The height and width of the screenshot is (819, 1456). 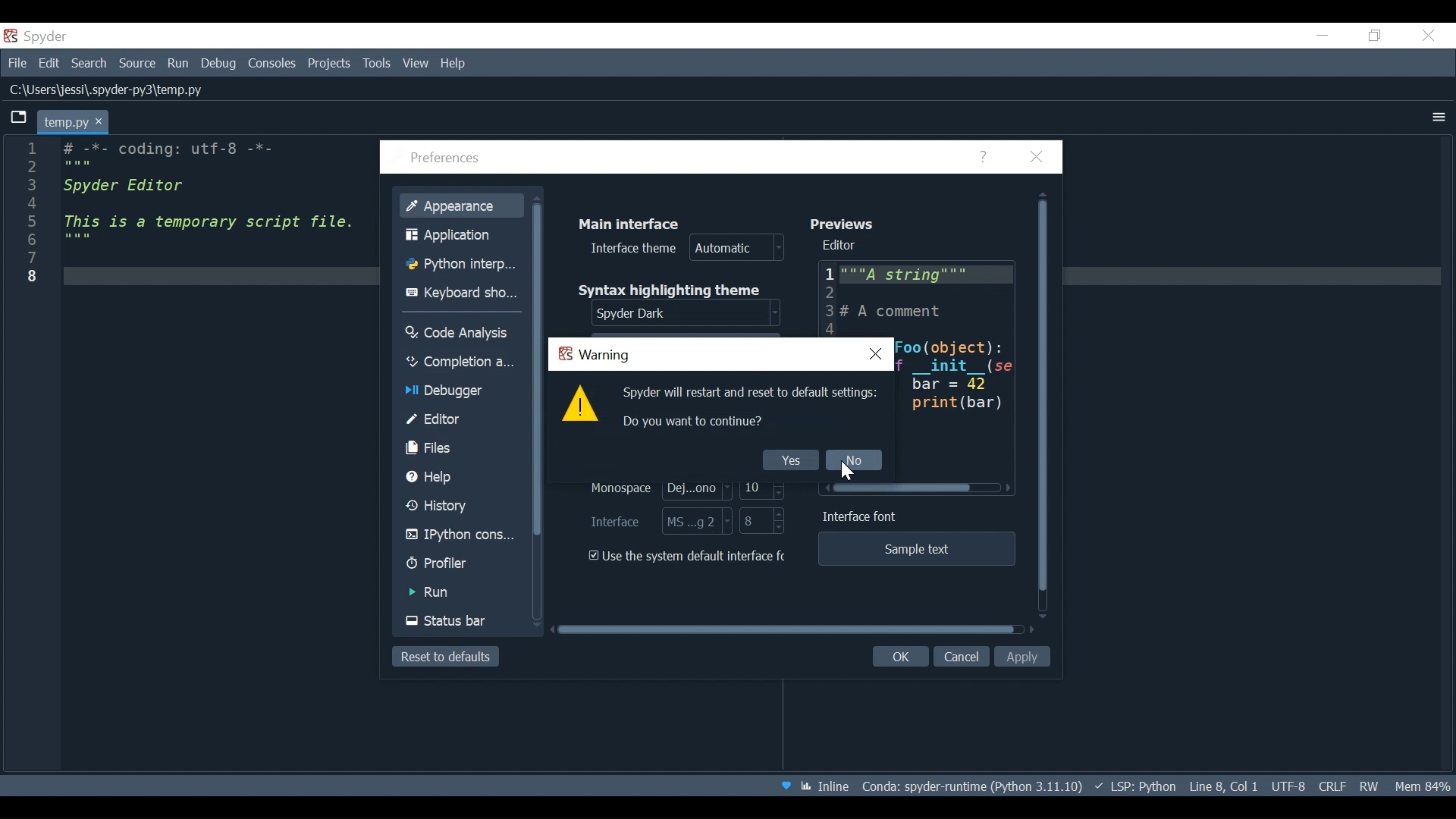 I want to click on Horizontal Scroll bar, so click(x=785, y=629).